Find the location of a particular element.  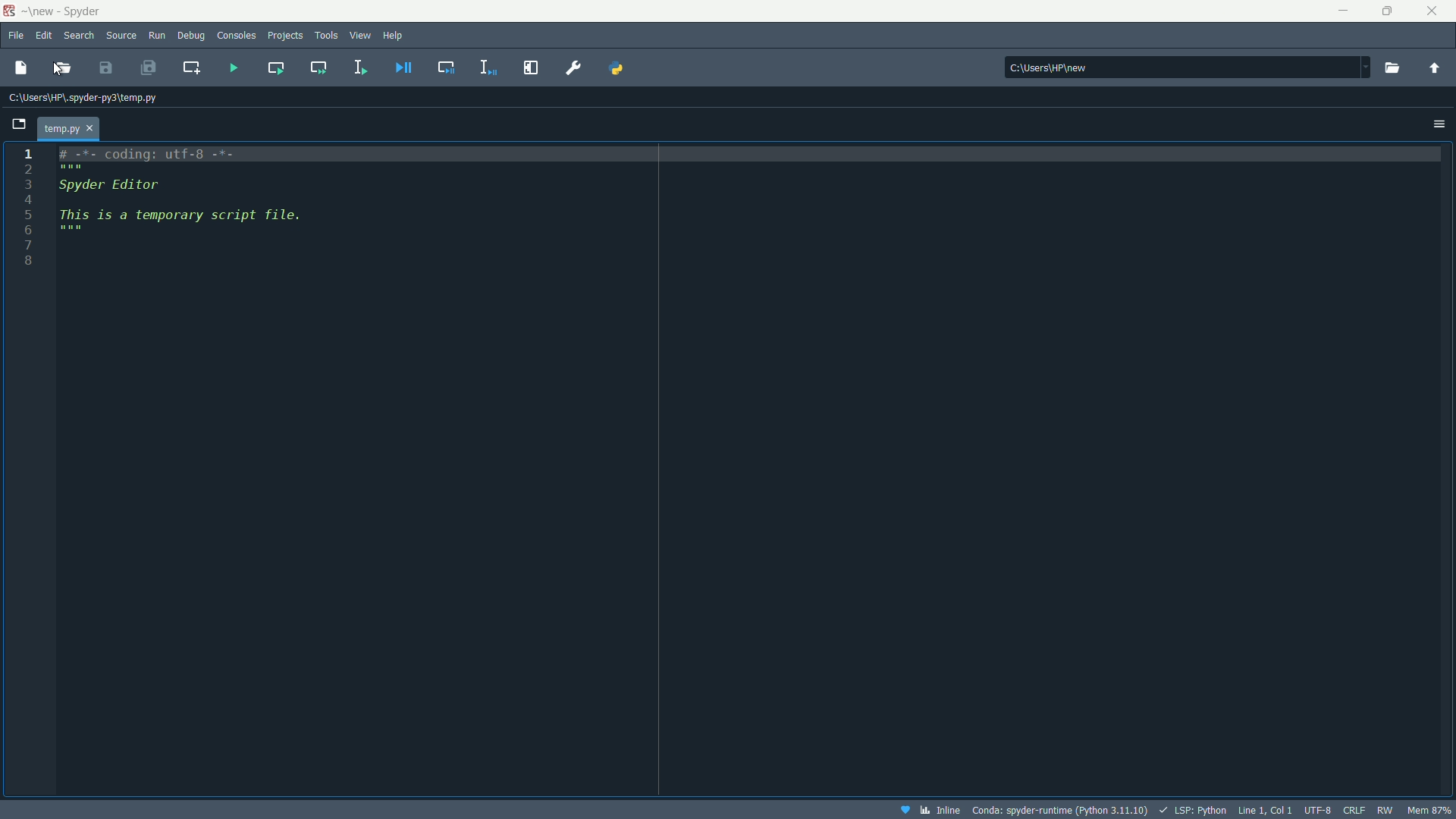

Save file is located at coordinates (104, 67).